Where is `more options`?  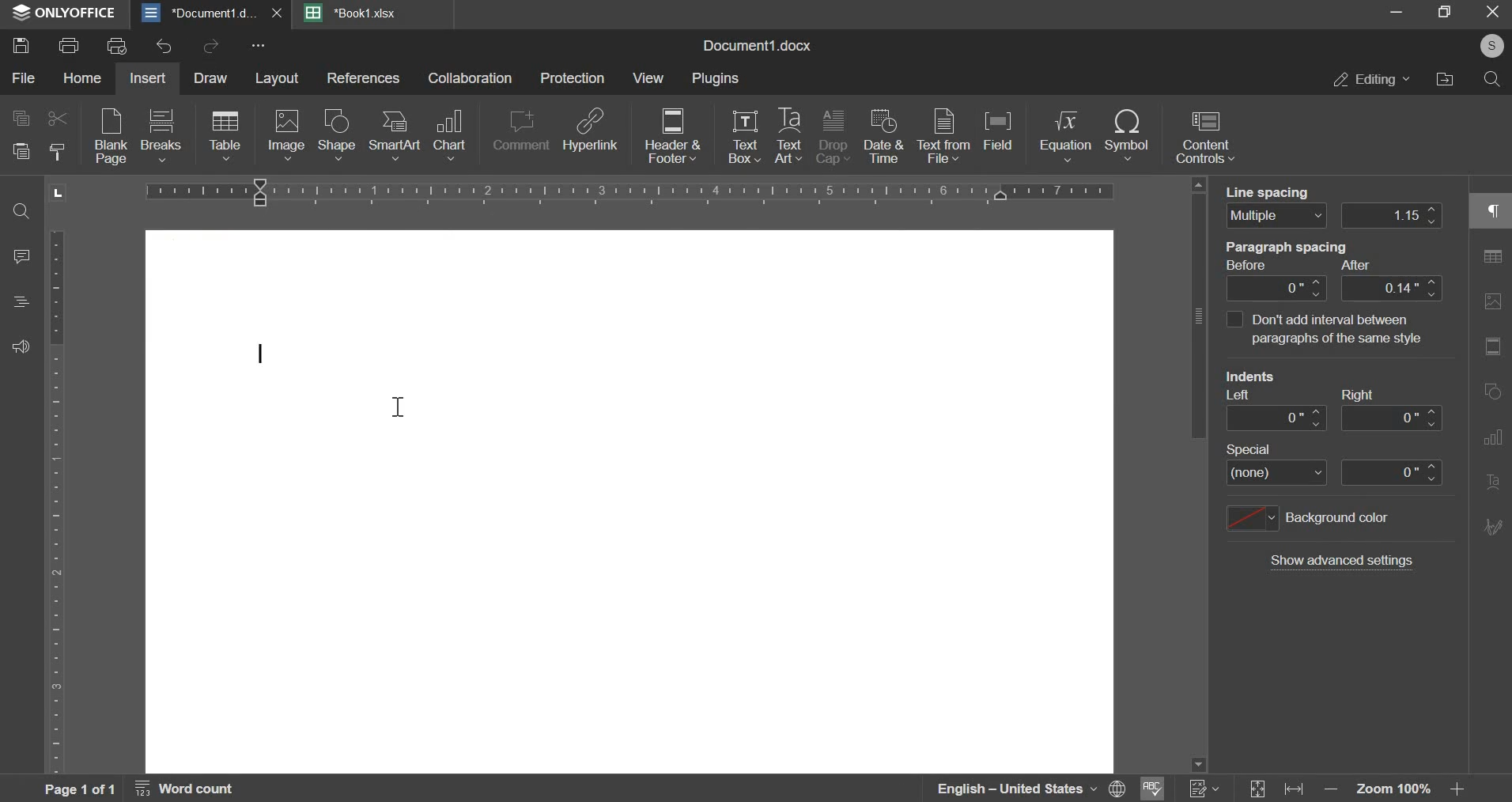
more options is located at coordinates (259, 47).